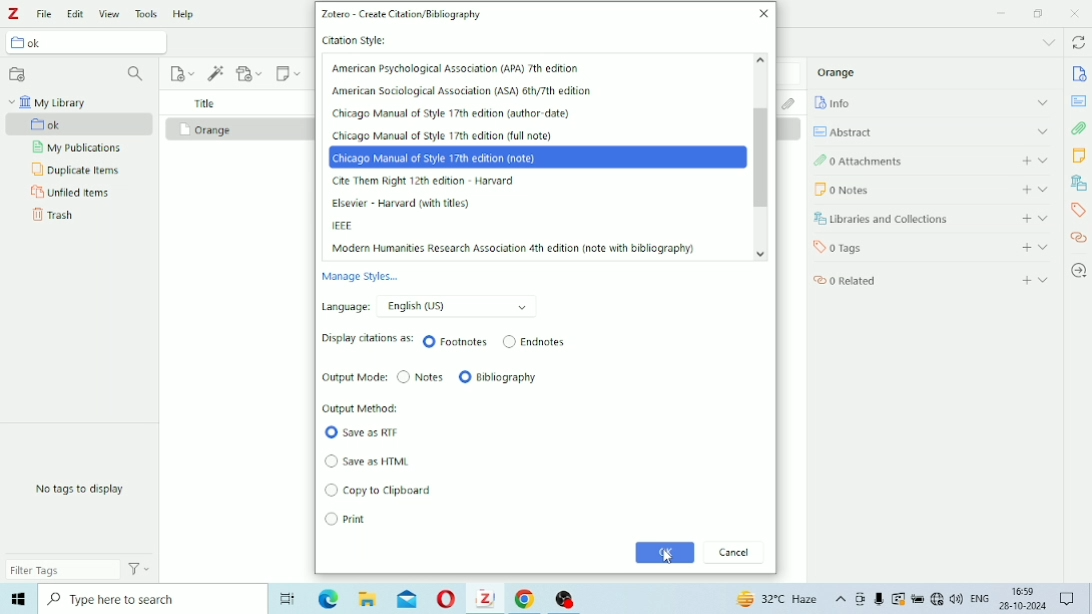 Image resolution: width=1092 pixels, height=614 pixels. Describe the element at coordinates (932, 246) in the screenshot. I see `Tags` at that location.